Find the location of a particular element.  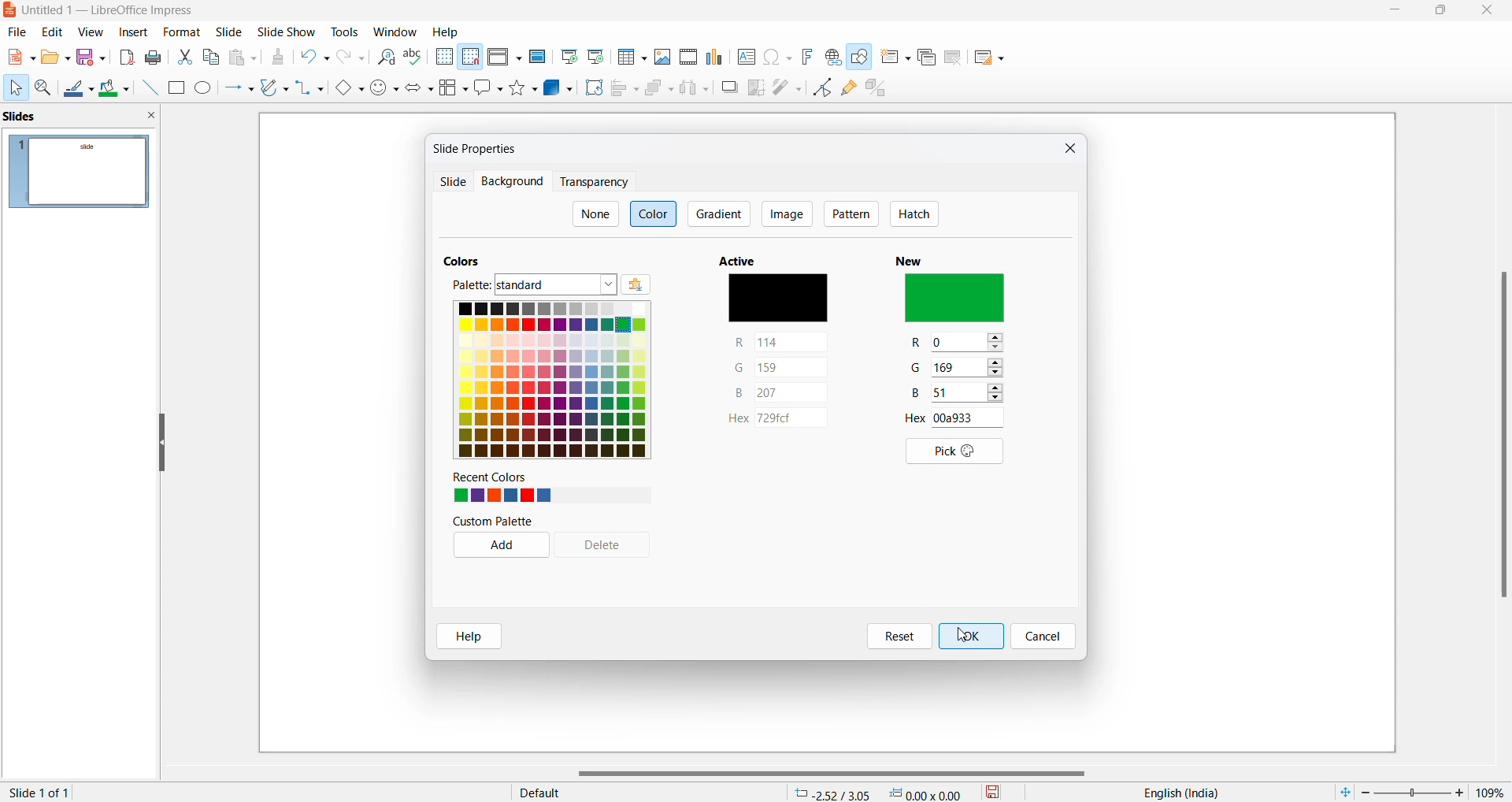

symbol shapes is located at coordinates (385, 89).